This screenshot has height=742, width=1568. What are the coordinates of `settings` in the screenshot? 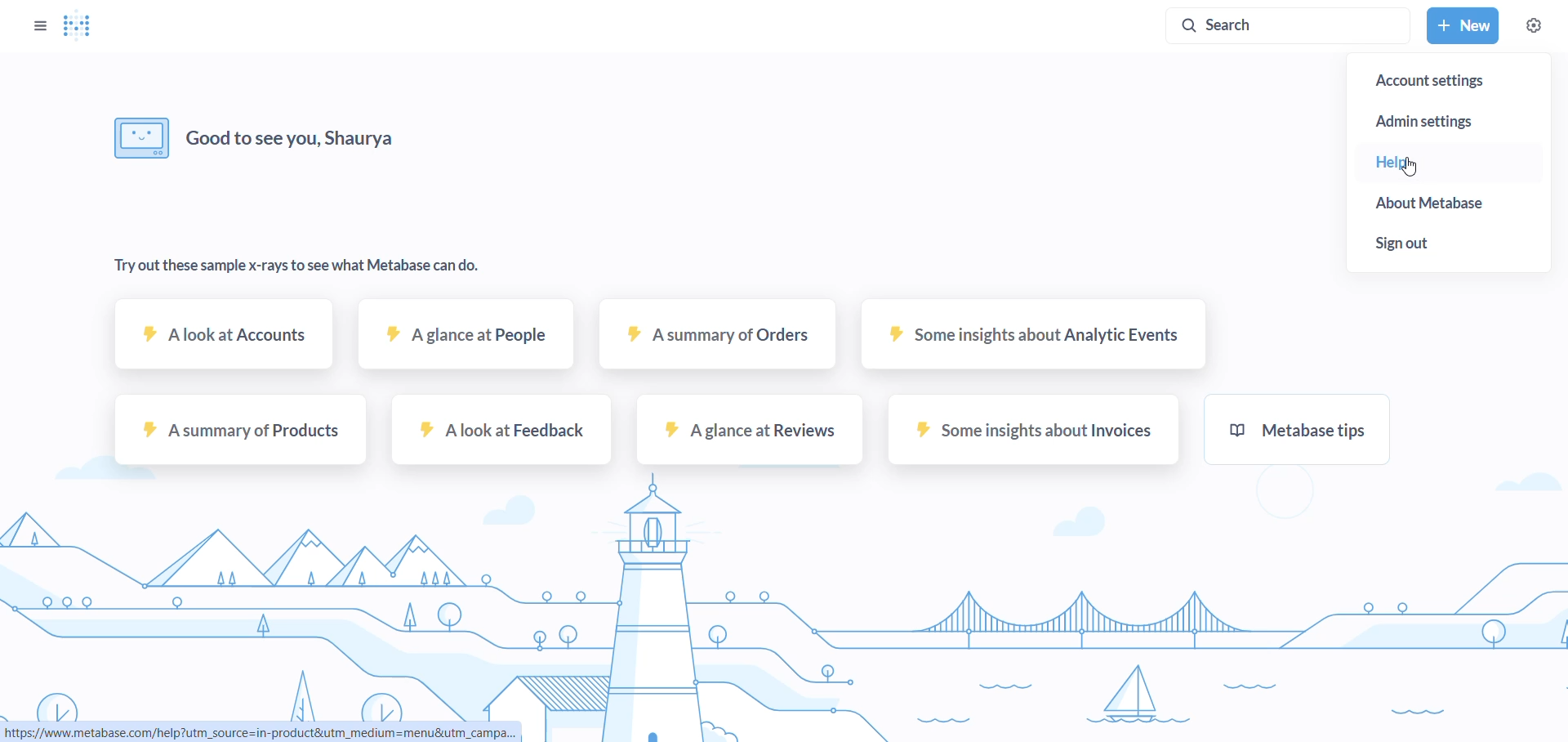 It's located at (1536, 25).